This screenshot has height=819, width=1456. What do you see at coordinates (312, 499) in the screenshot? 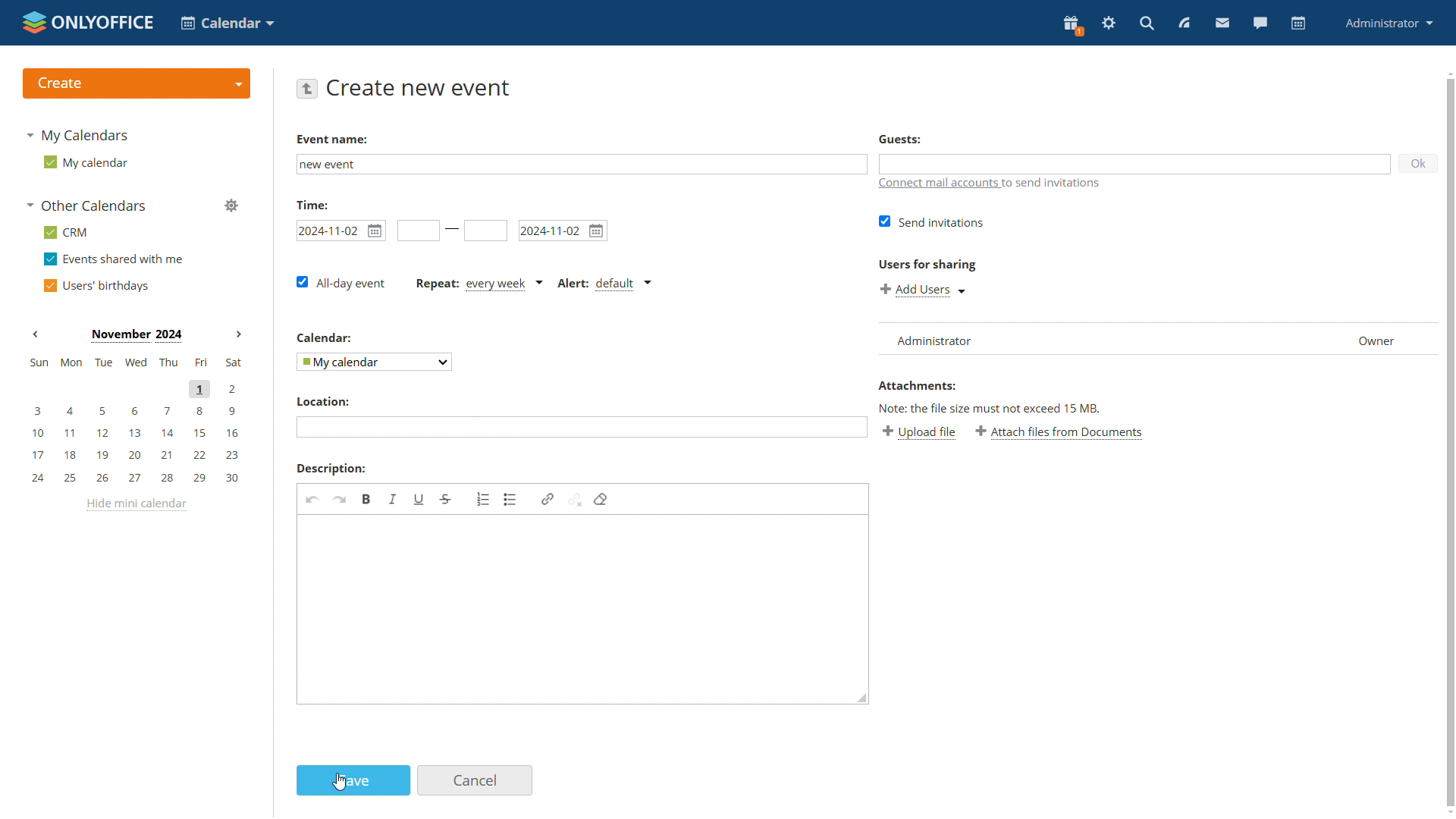
I see `undo` at bounding box center [312, 499].